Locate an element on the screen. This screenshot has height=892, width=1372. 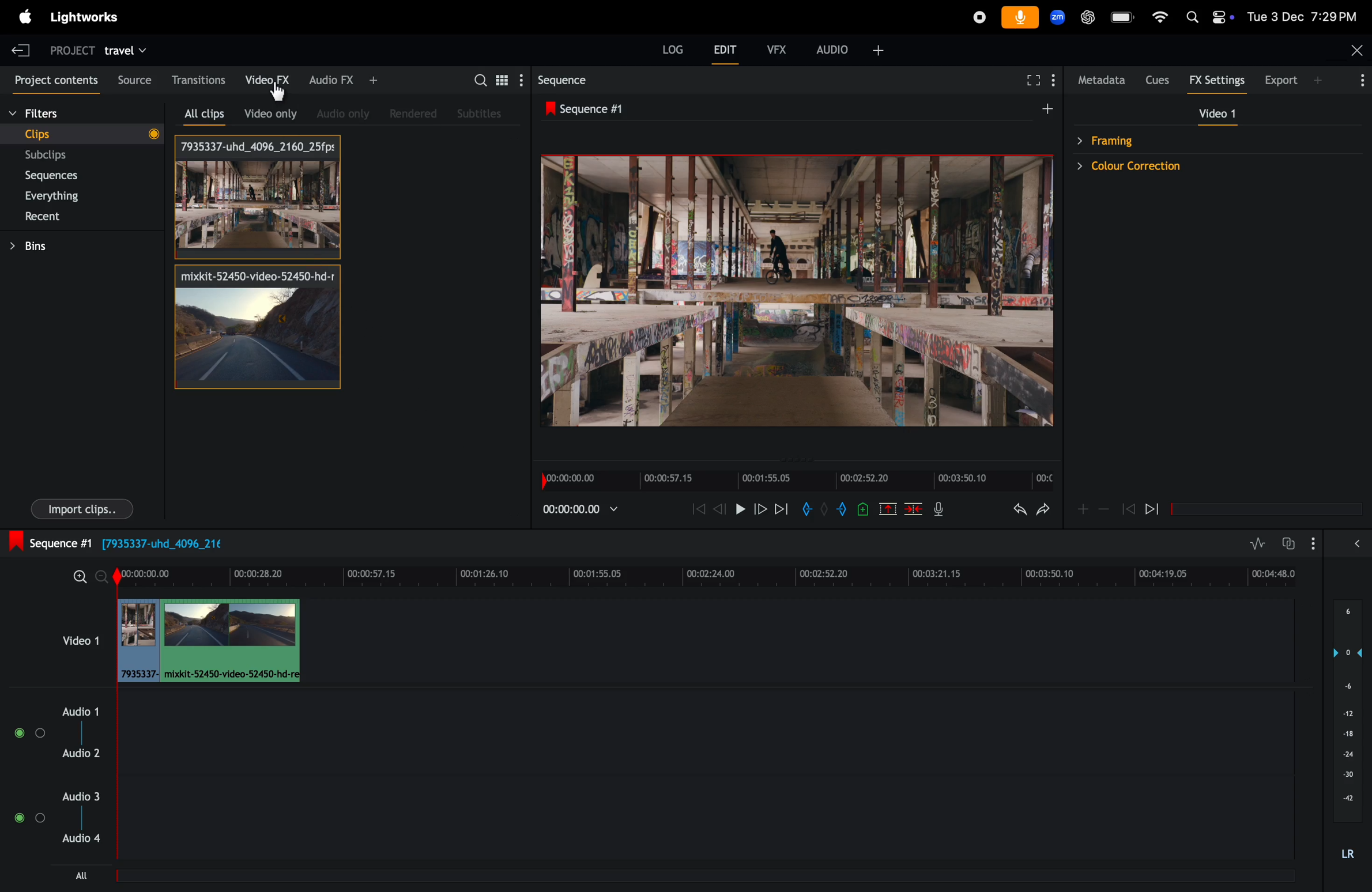
Audio Vfx is located at coordinates (344, 81).